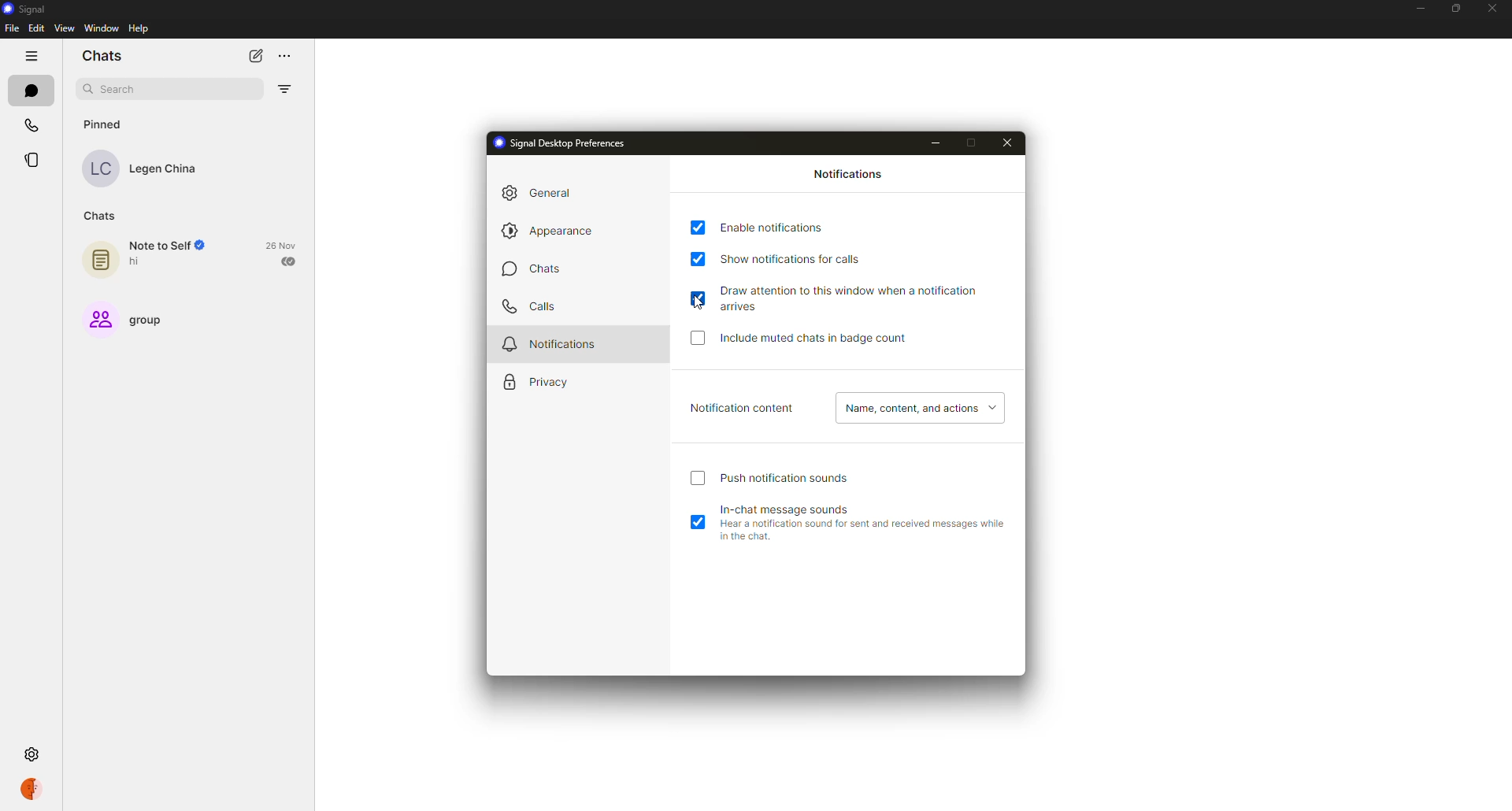 Image resolution: width=1512 pixels, height=811 pixels. Describe the element at coordinates (800, 257) in the screenshot. I see `show notifications for calls` at that location.